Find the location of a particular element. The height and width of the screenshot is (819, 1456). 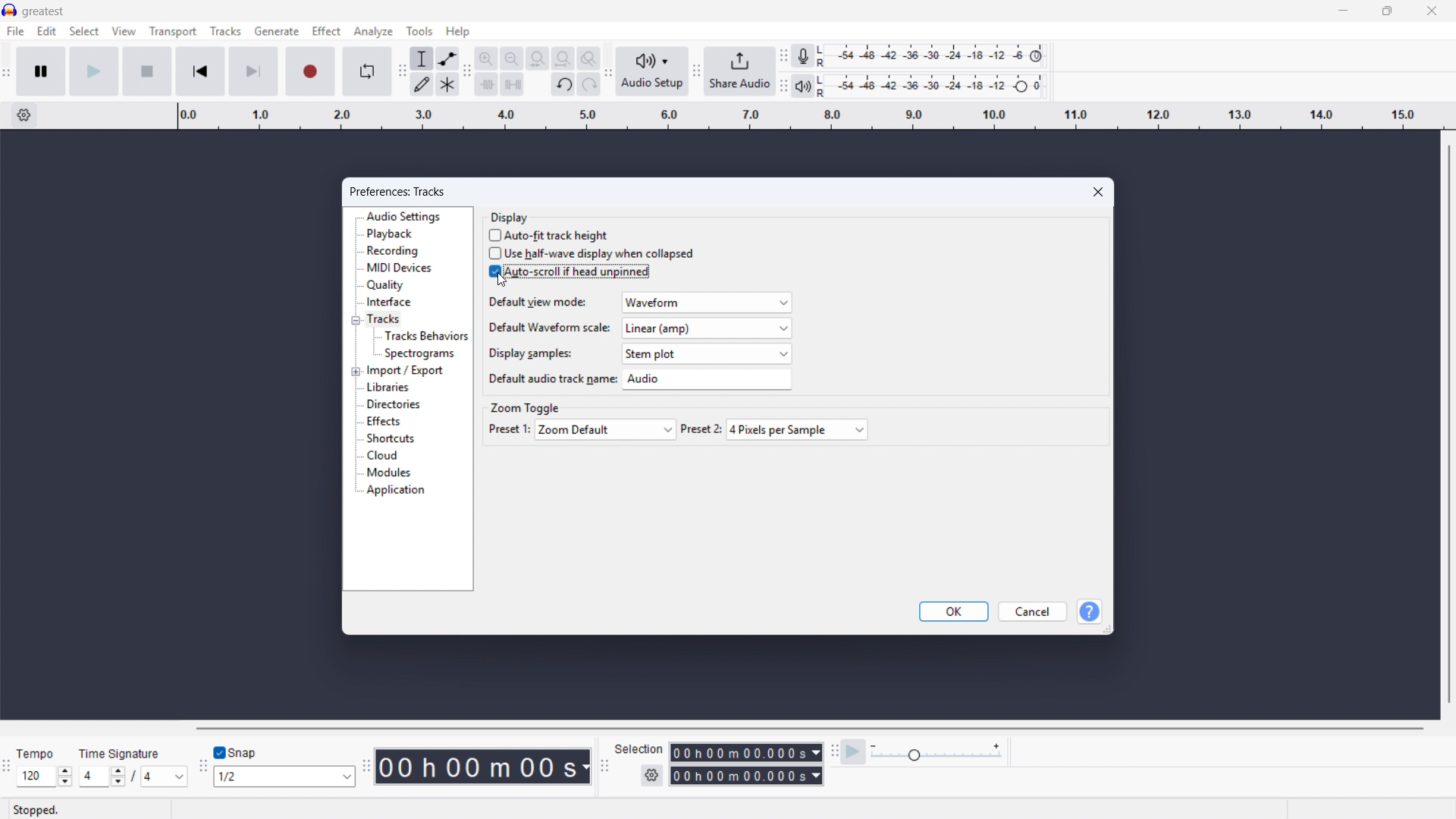

Recording metre toolbar is located at coordinates (784, 57).